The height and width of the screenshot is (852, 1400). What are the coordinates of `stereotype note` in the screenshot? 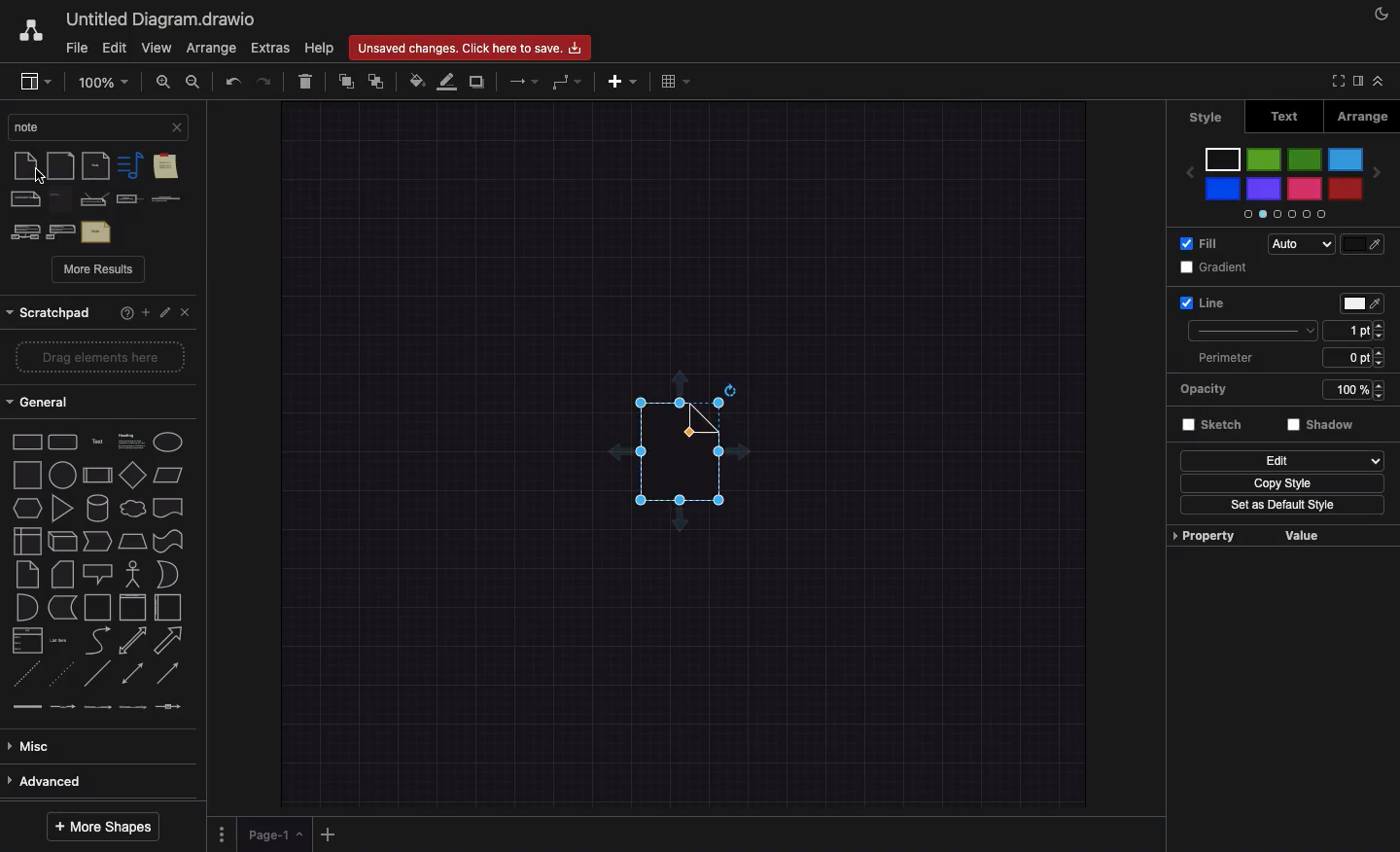 It's located at (22, 231).